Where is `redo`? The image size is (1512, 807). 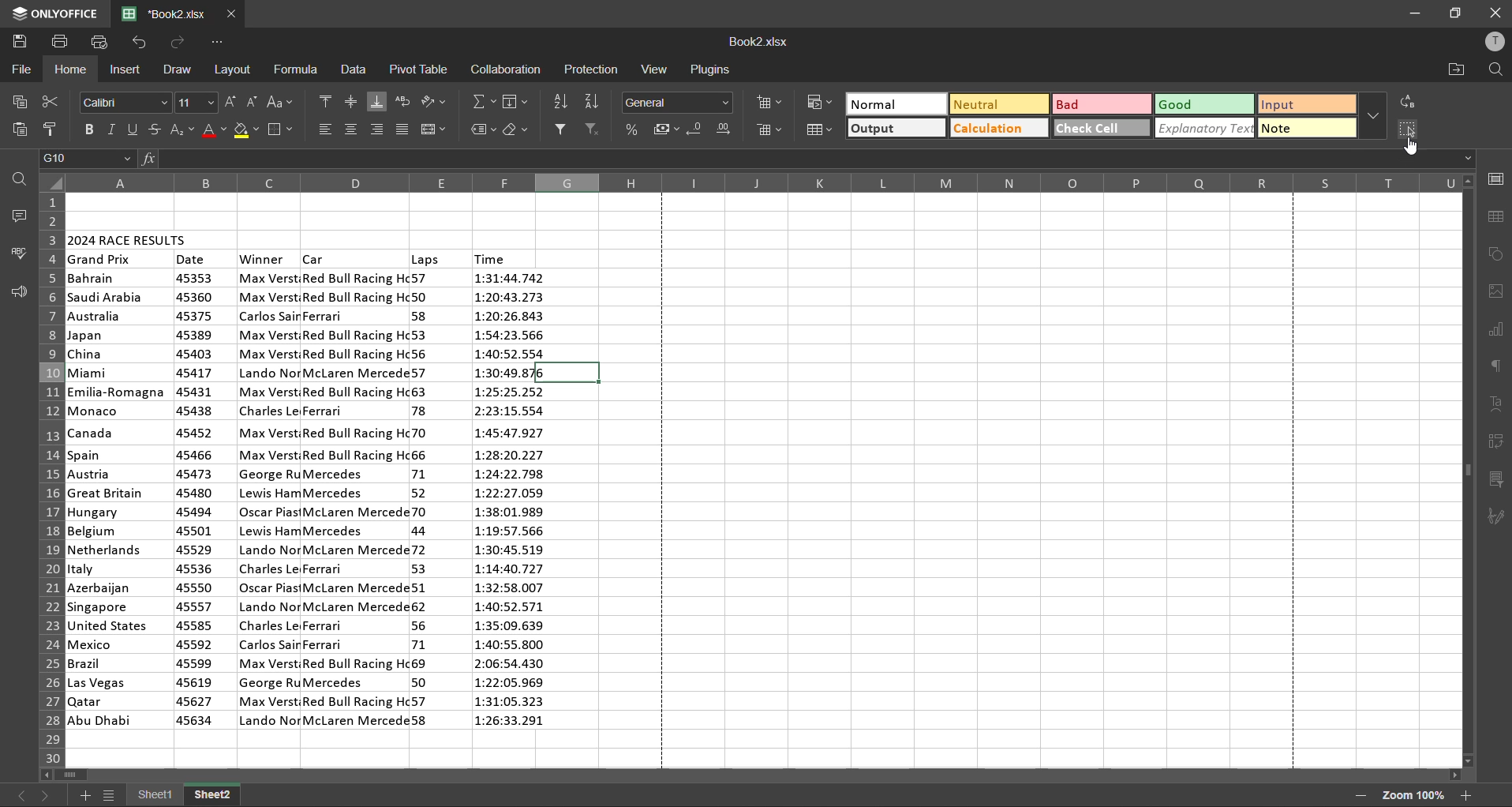 redo is located at coordinates (174, 43).